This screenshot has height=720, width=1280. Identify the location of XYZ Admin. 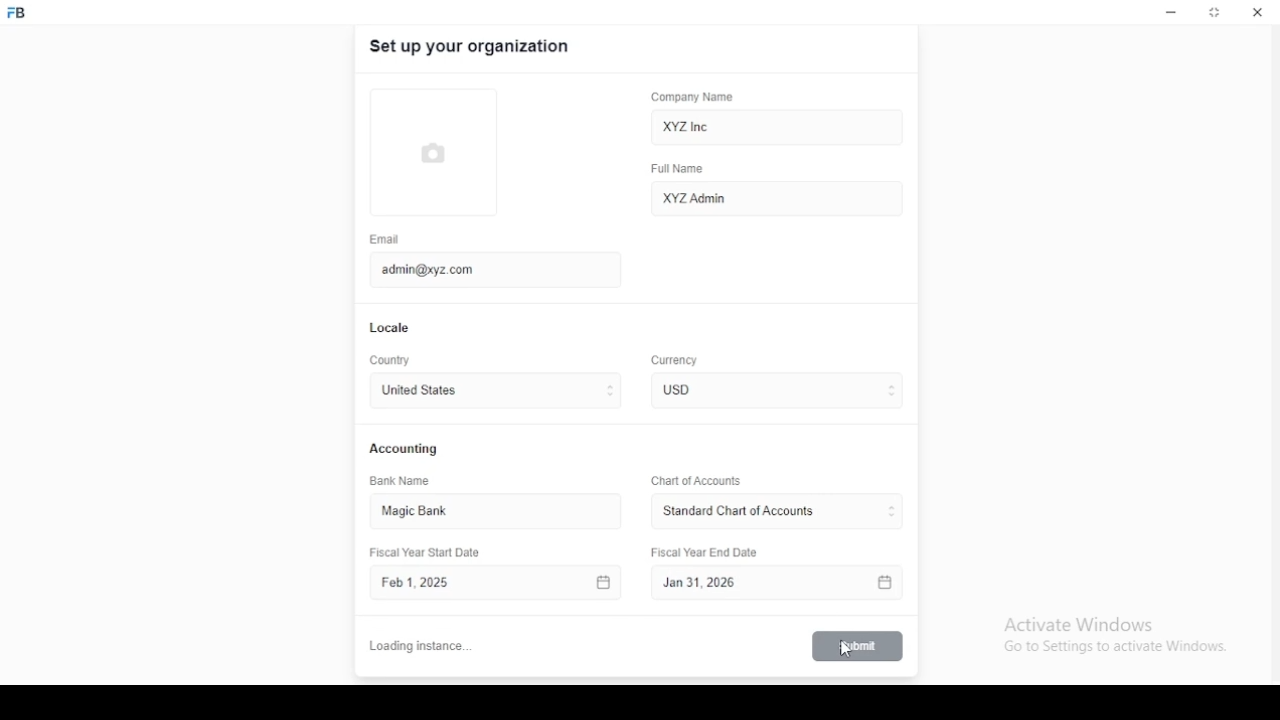
(777, 197).